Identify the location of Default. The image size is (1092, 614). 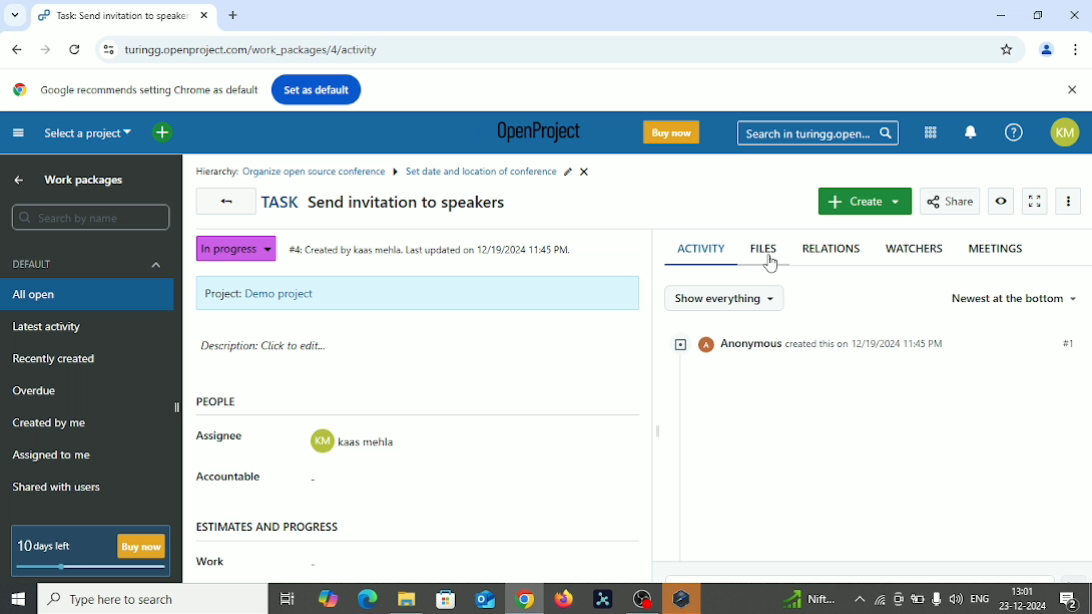
(90, 263).